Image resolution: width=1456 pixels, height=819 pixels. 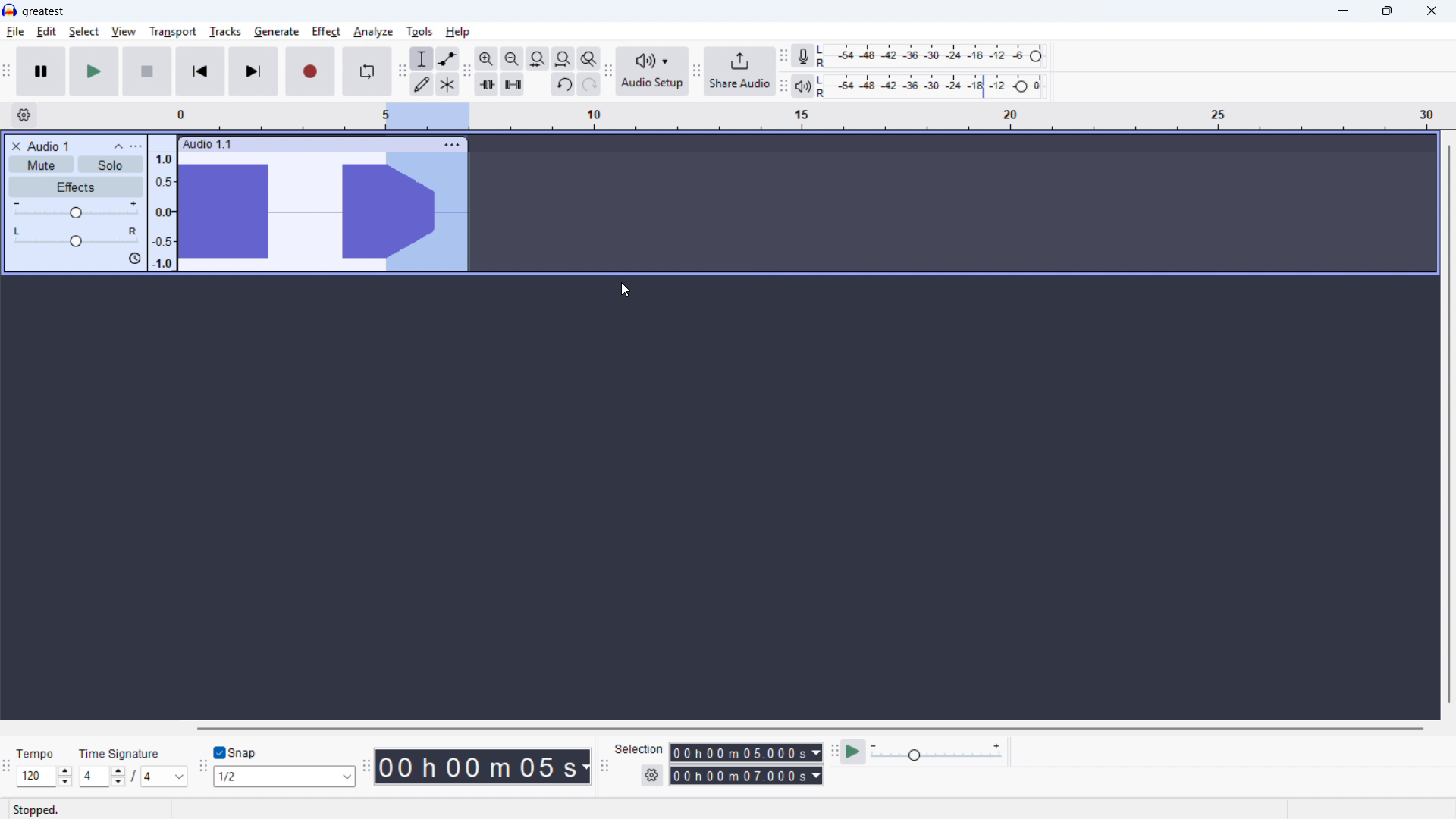 What do you see at coordinates (366, 766) in the screenshot?
I see `Time toolbar ` at bounding box center [366, 766].